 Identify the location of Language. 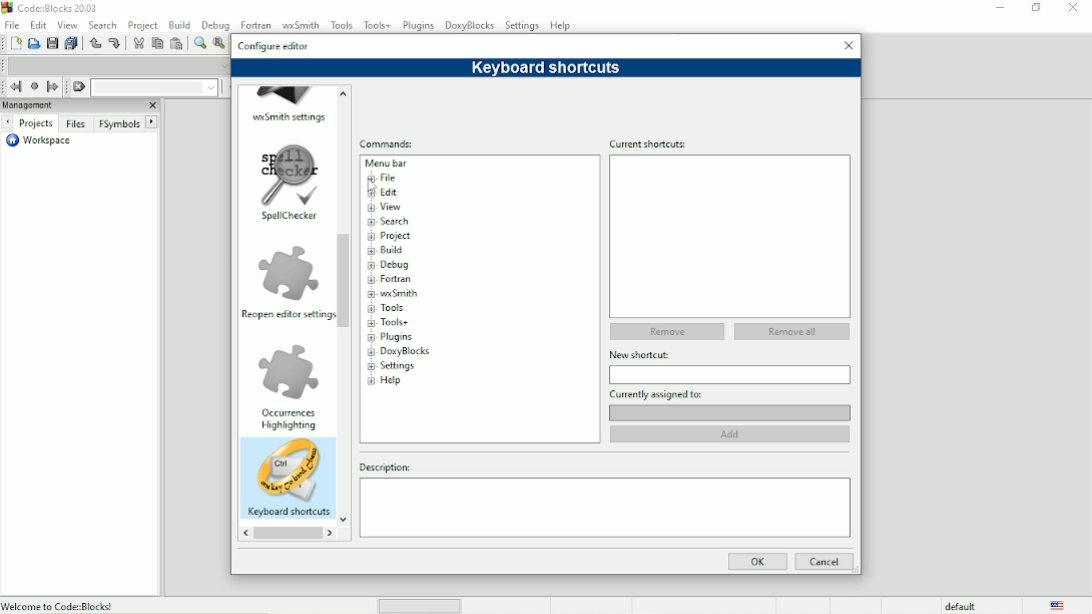
(1059, 605).